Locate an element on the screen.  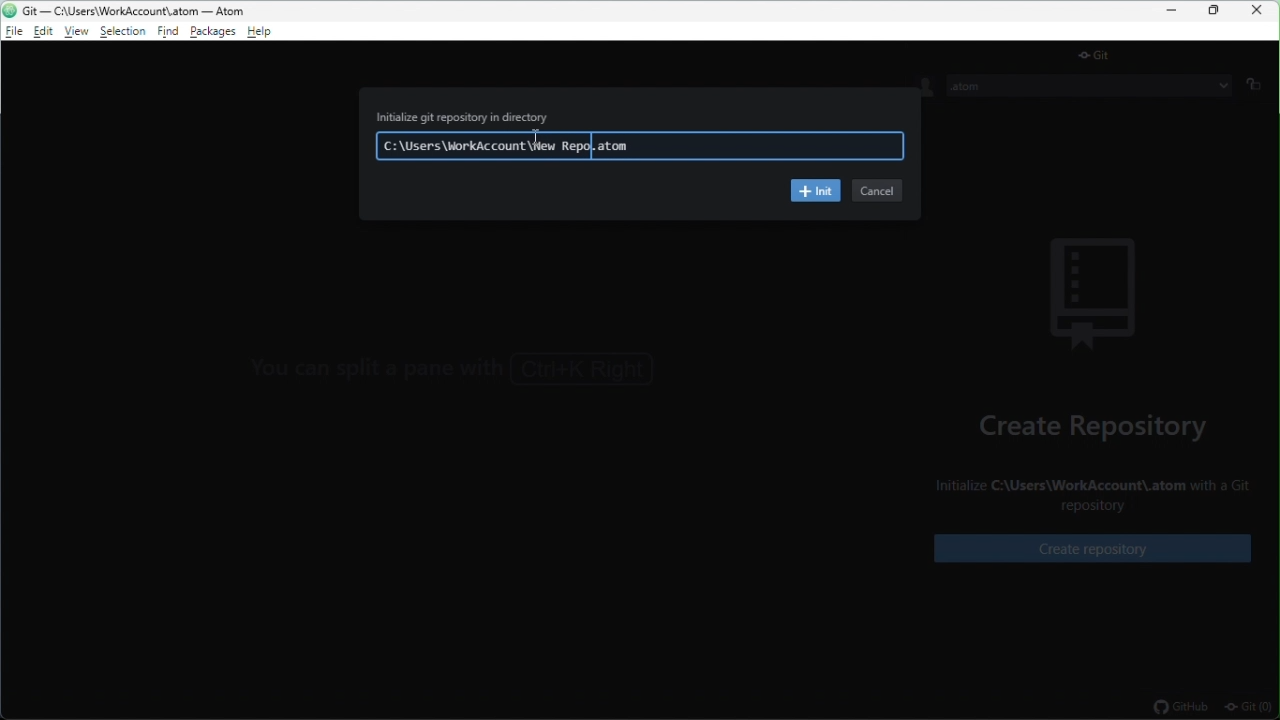
minimize is located at coordinates (1177, 11).